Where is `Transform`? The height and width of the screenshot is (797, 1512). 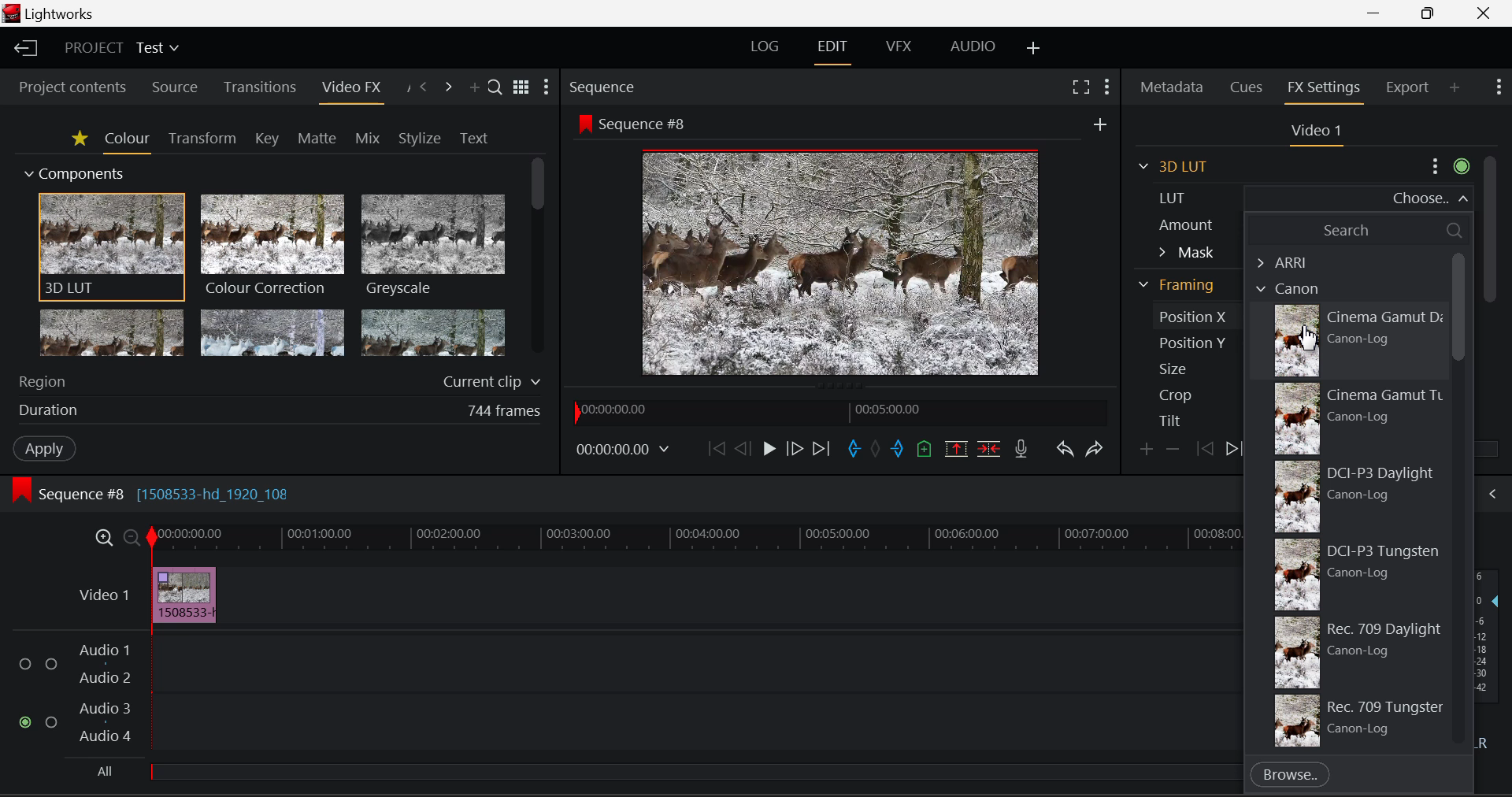
Transform is located at coordinates (200, 139).